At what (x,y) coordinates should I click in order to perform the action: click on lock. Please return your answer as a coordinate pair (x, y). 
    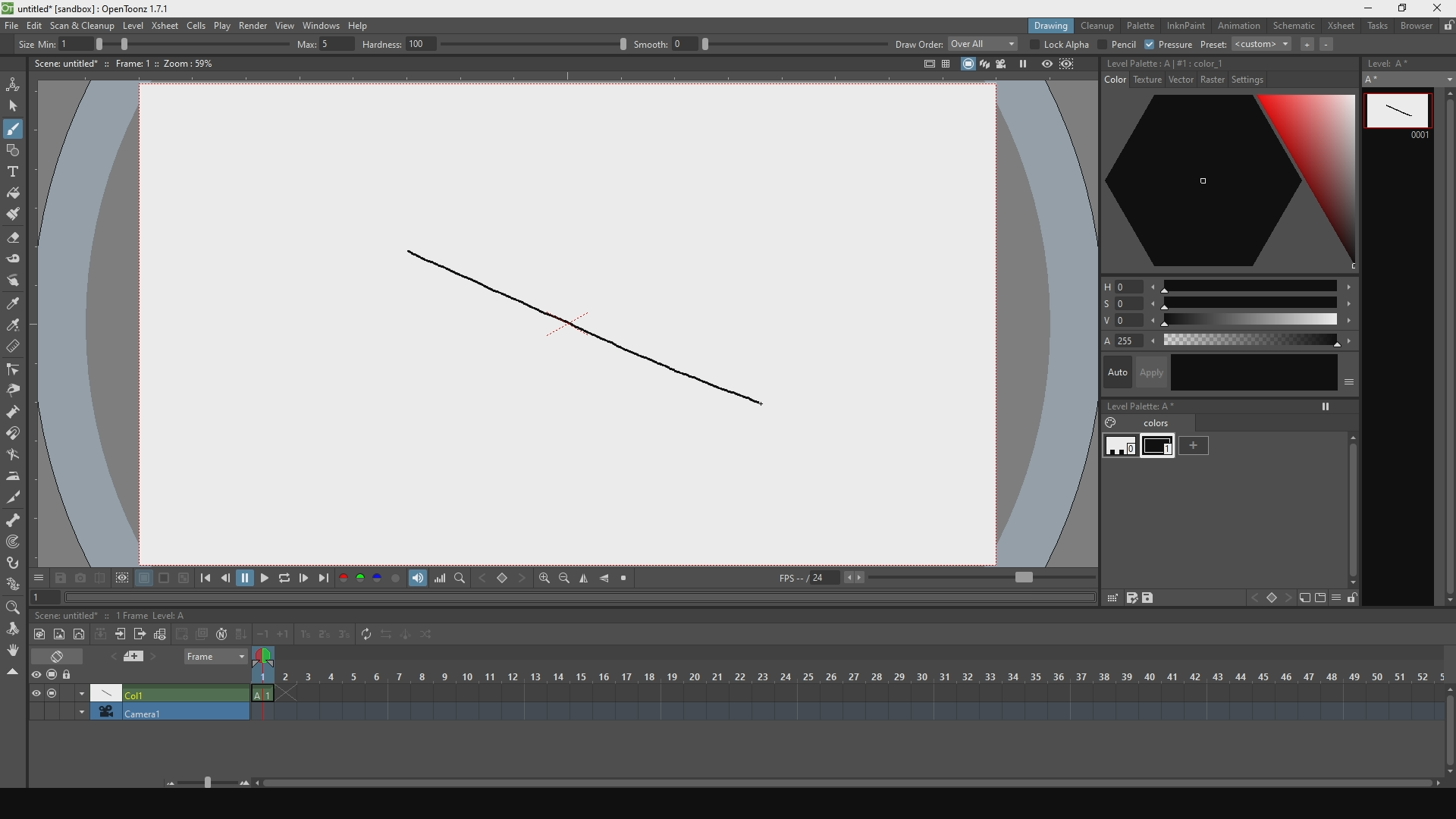
    Looking at the image, I should click on (74, 673).